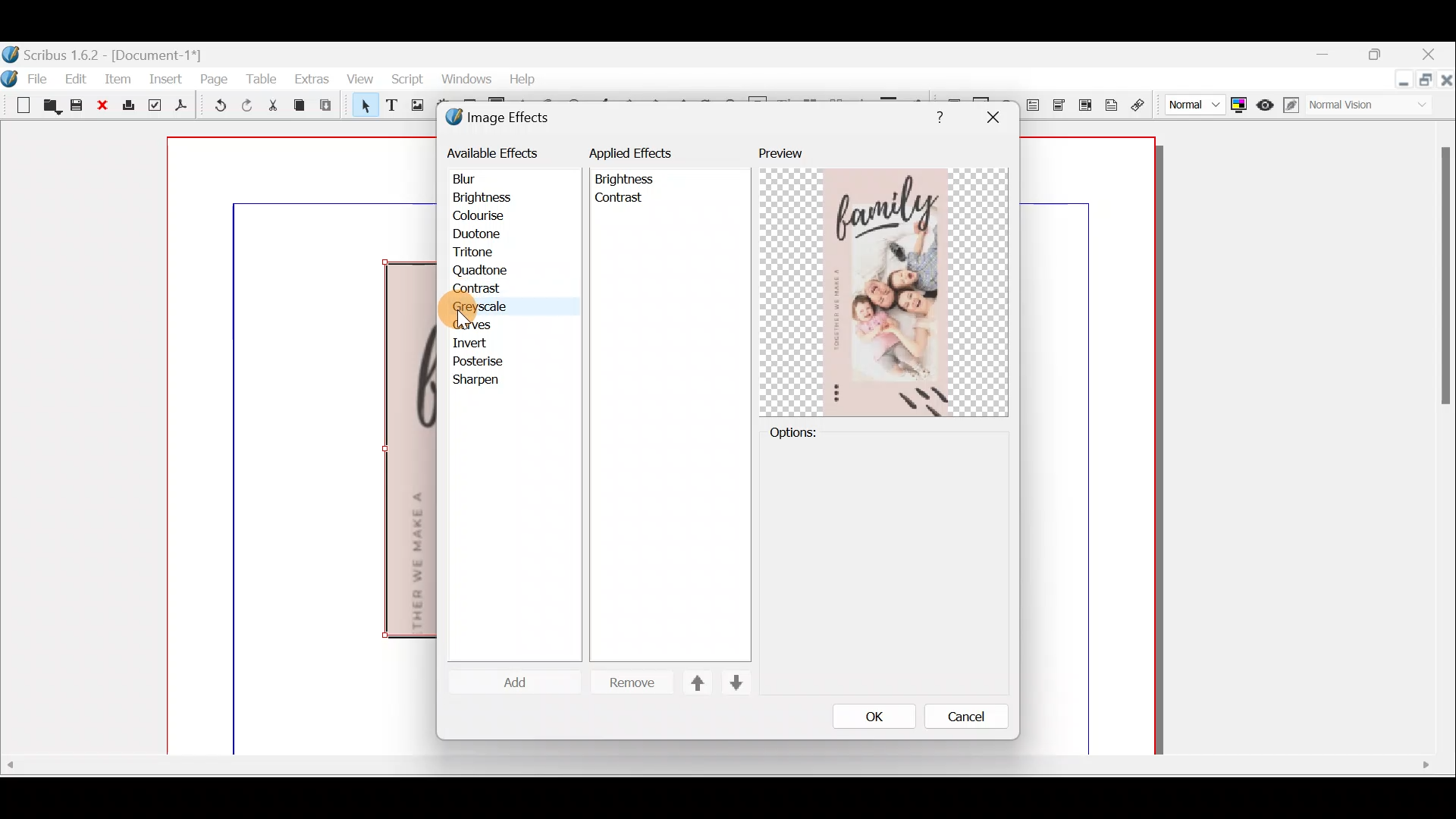 The width and height of the screenshot is (1456, 819). I want to click on contrast, so click(485, 289).